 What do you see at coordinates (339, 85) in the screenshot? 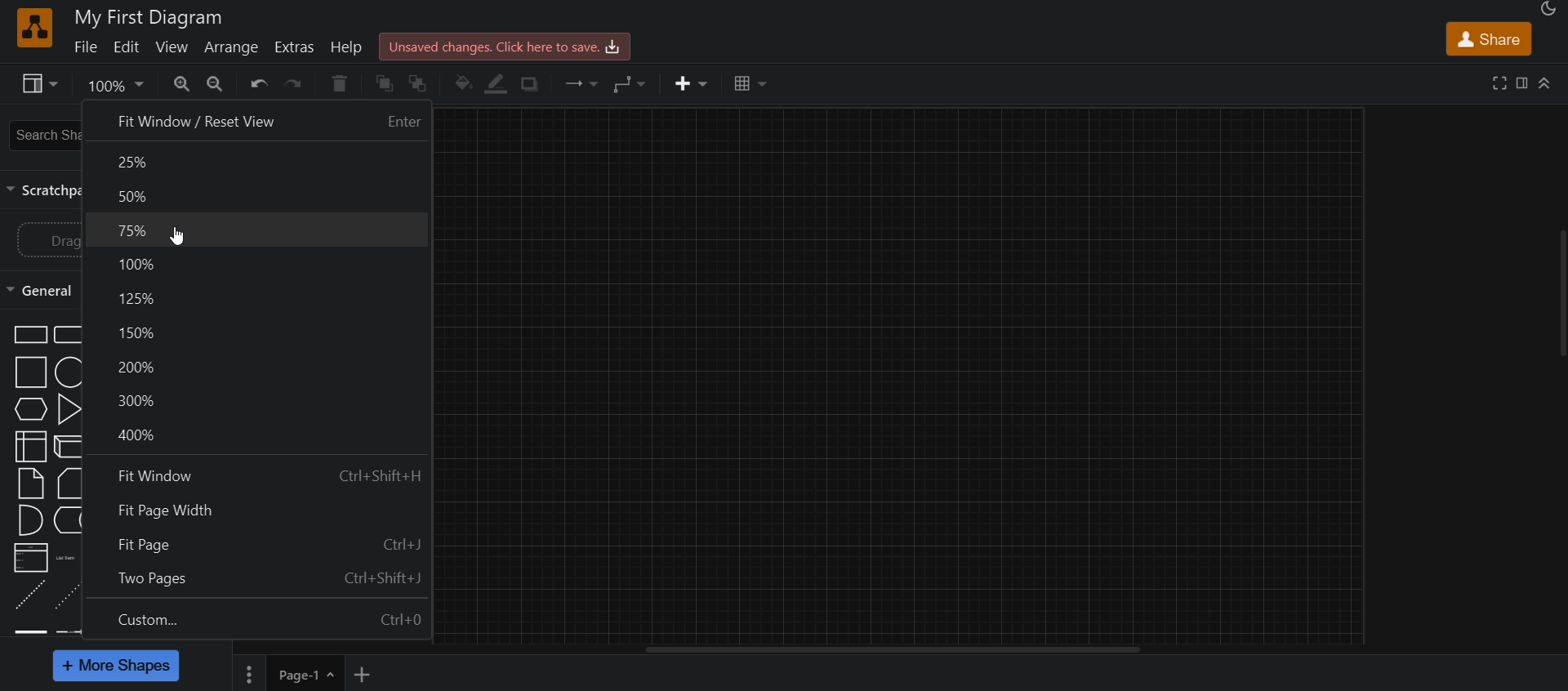
I see `delete` at bounding box center [339, 85].